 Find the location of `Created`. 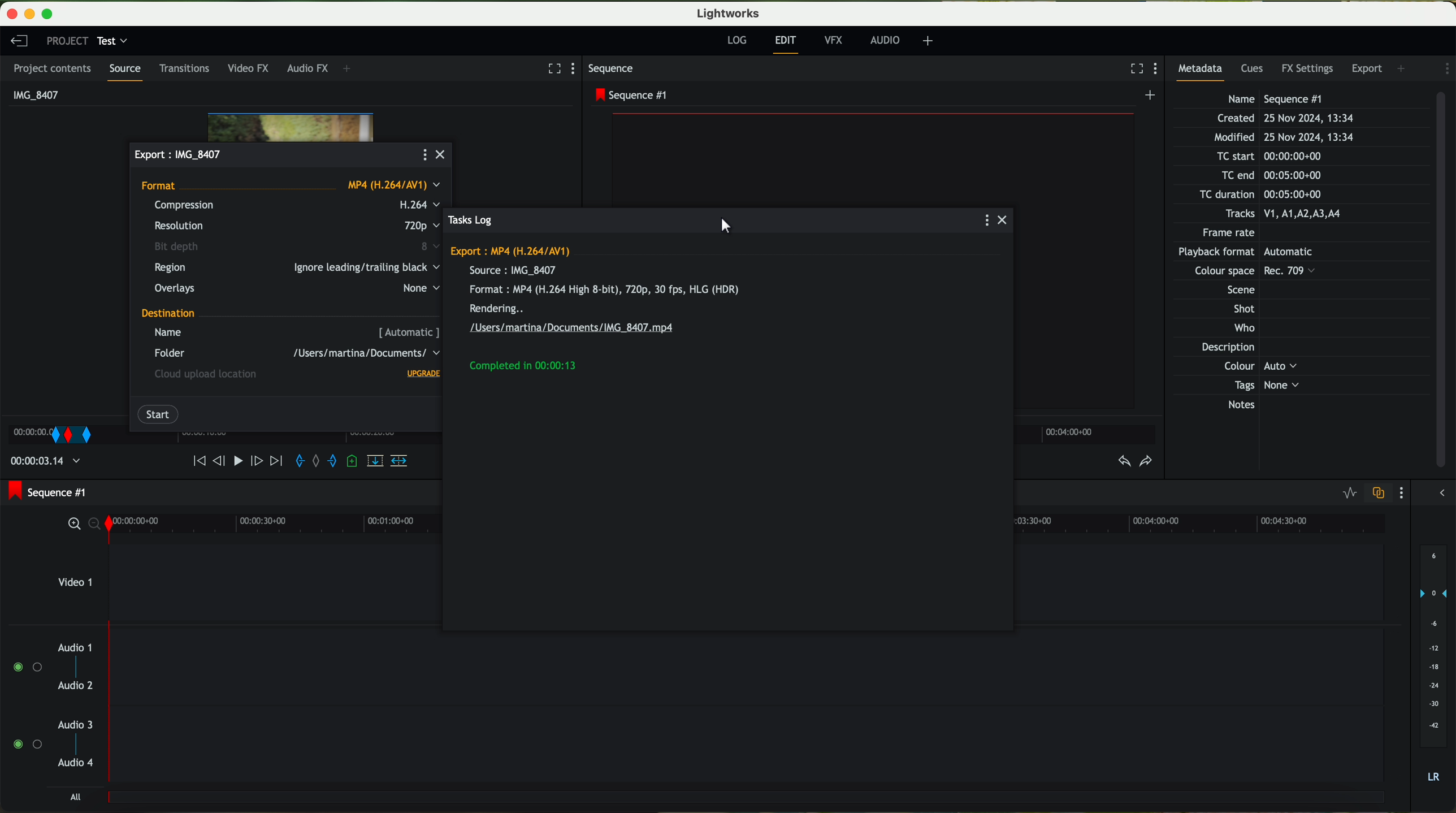

Created is located at coordinates (1285, 119).